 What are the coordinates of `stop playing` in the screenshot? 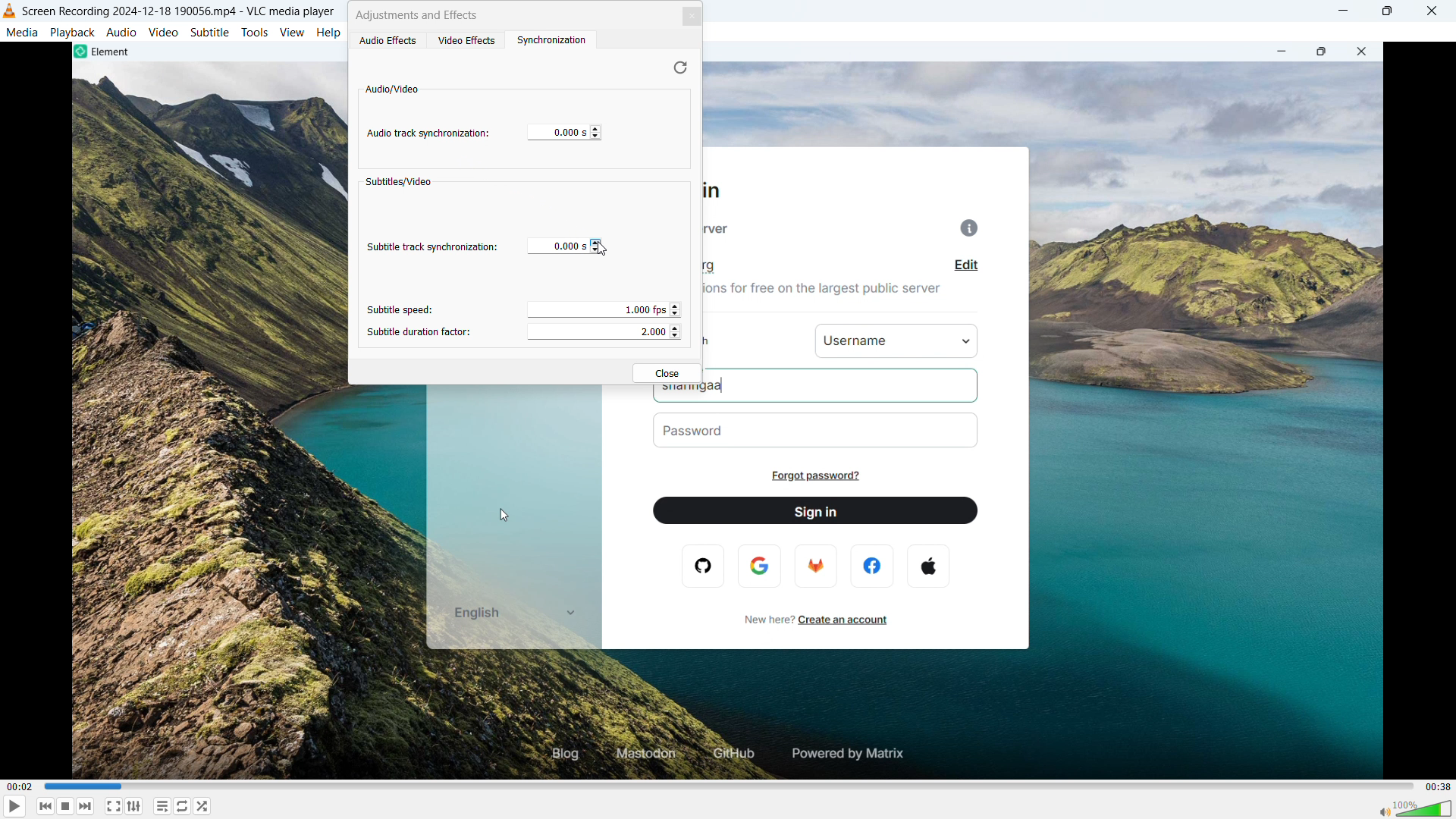 It's located at (65, 806).